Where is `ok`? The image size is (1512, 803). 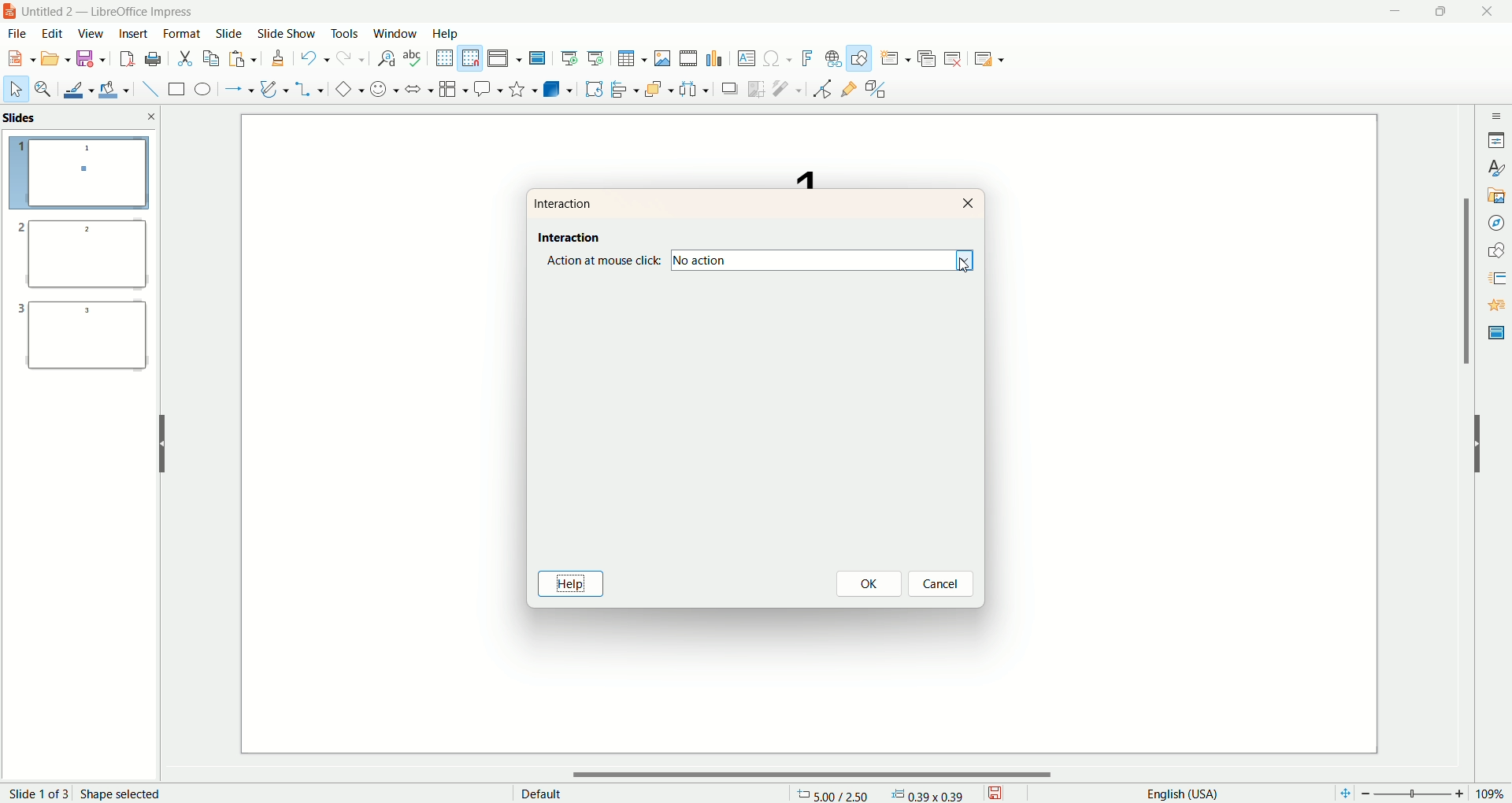 ok is located at coordinates (872, 584).